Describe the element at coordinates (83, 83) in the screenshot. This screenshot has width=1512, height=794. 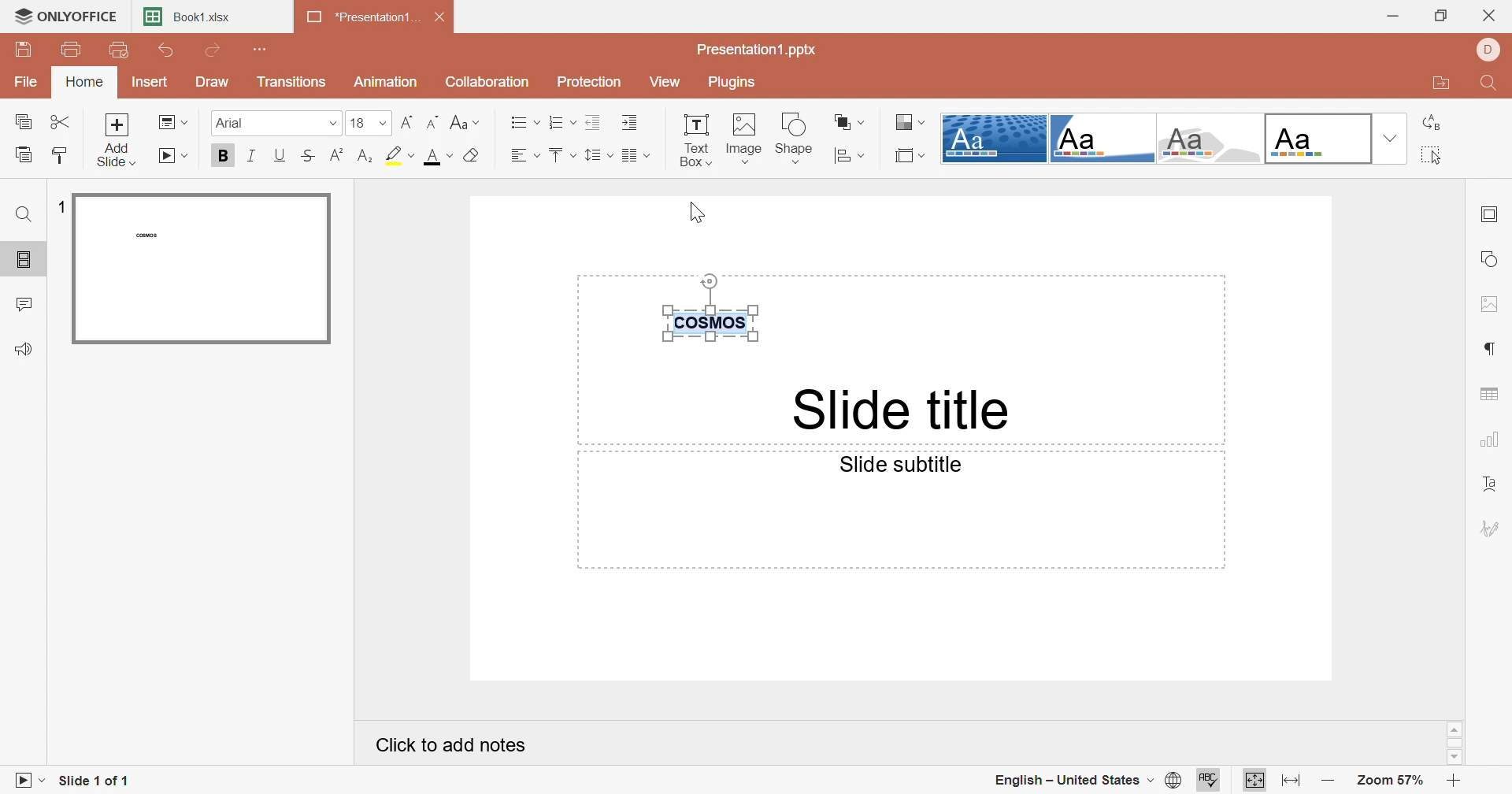
I see `Home` at that location.